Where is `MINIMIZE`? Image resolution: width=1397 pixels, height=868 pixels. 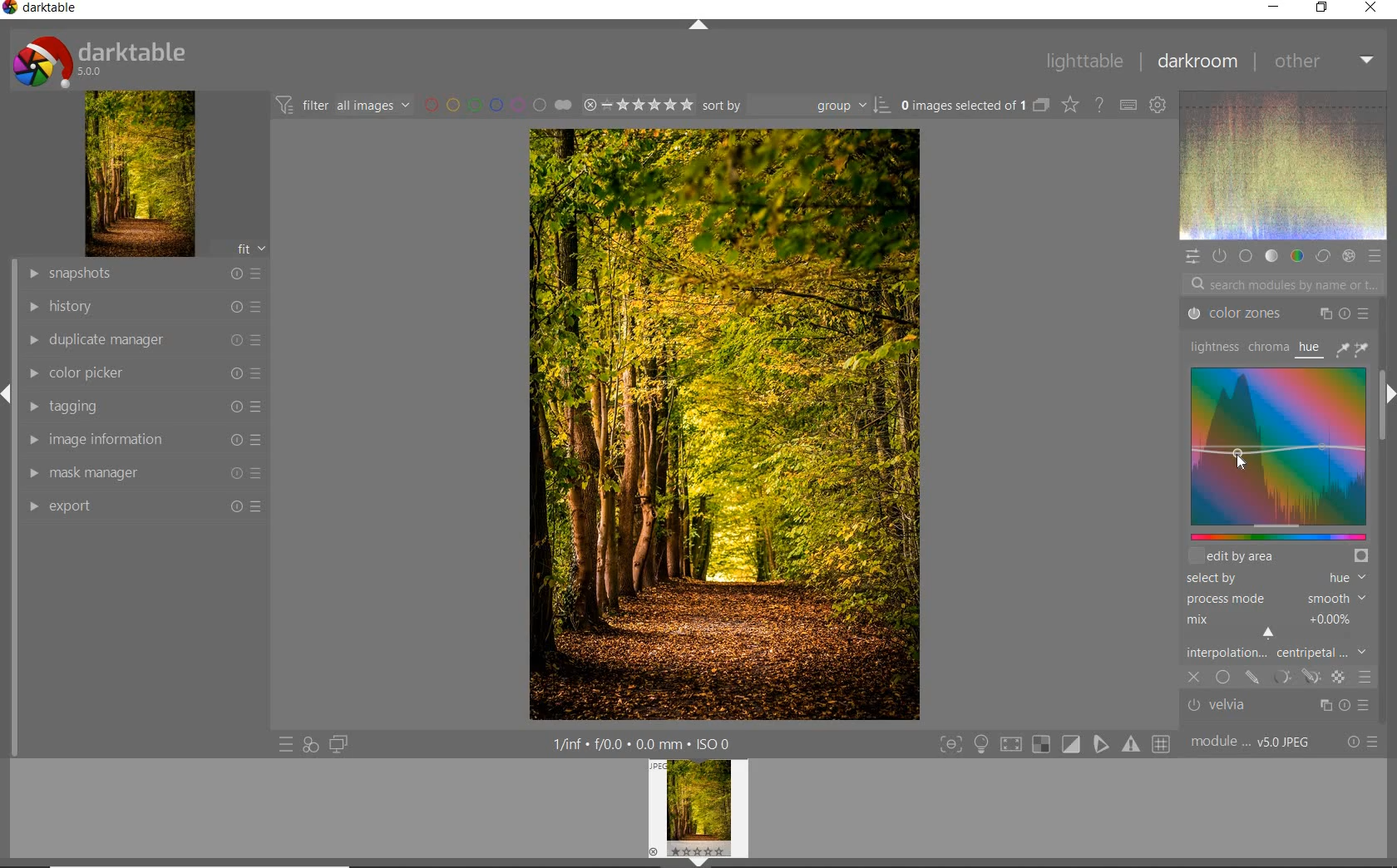
MINIMIZE is located at coordinates (1275, 7).